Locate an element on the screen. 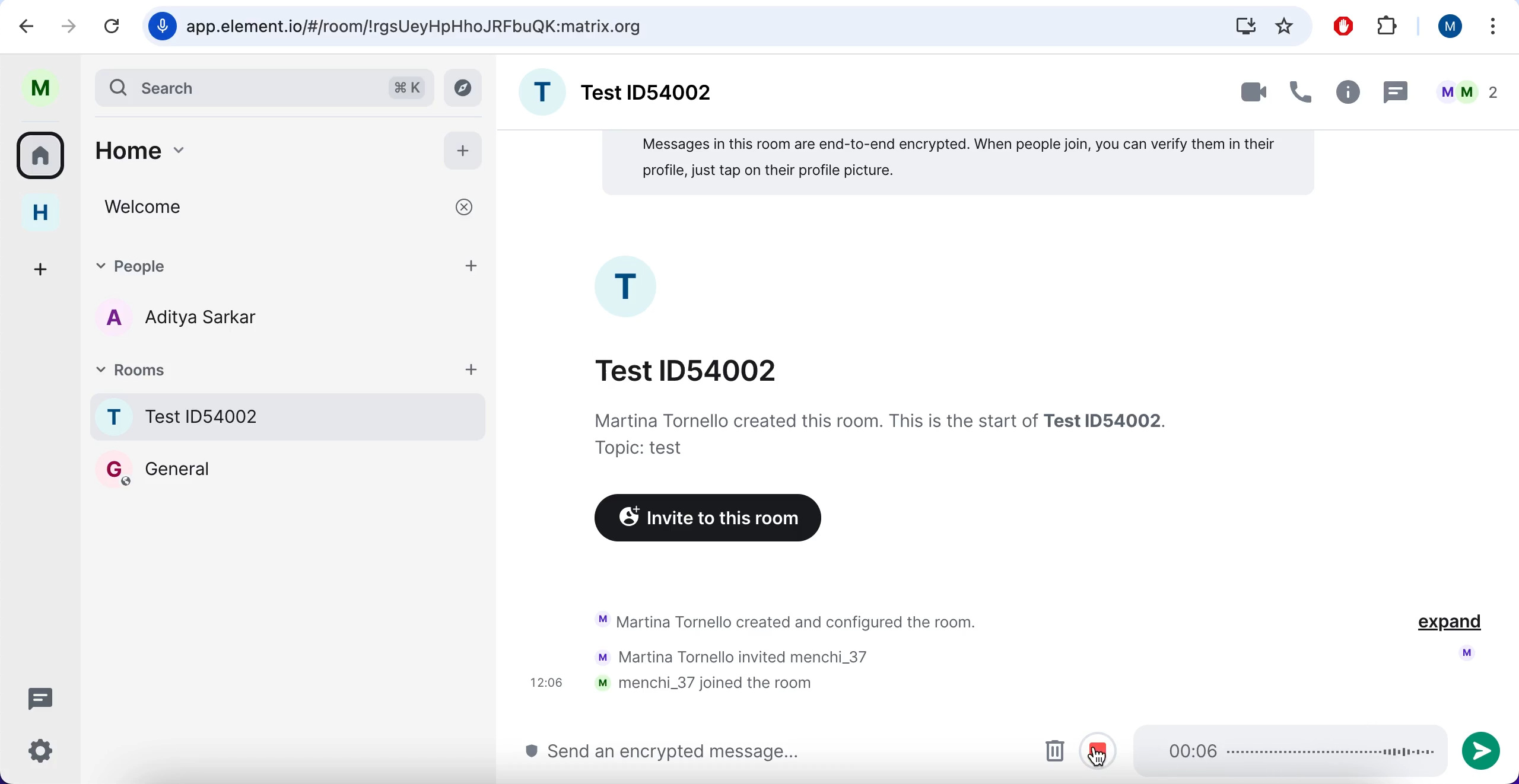  backward is located at coordinates (21, 26).